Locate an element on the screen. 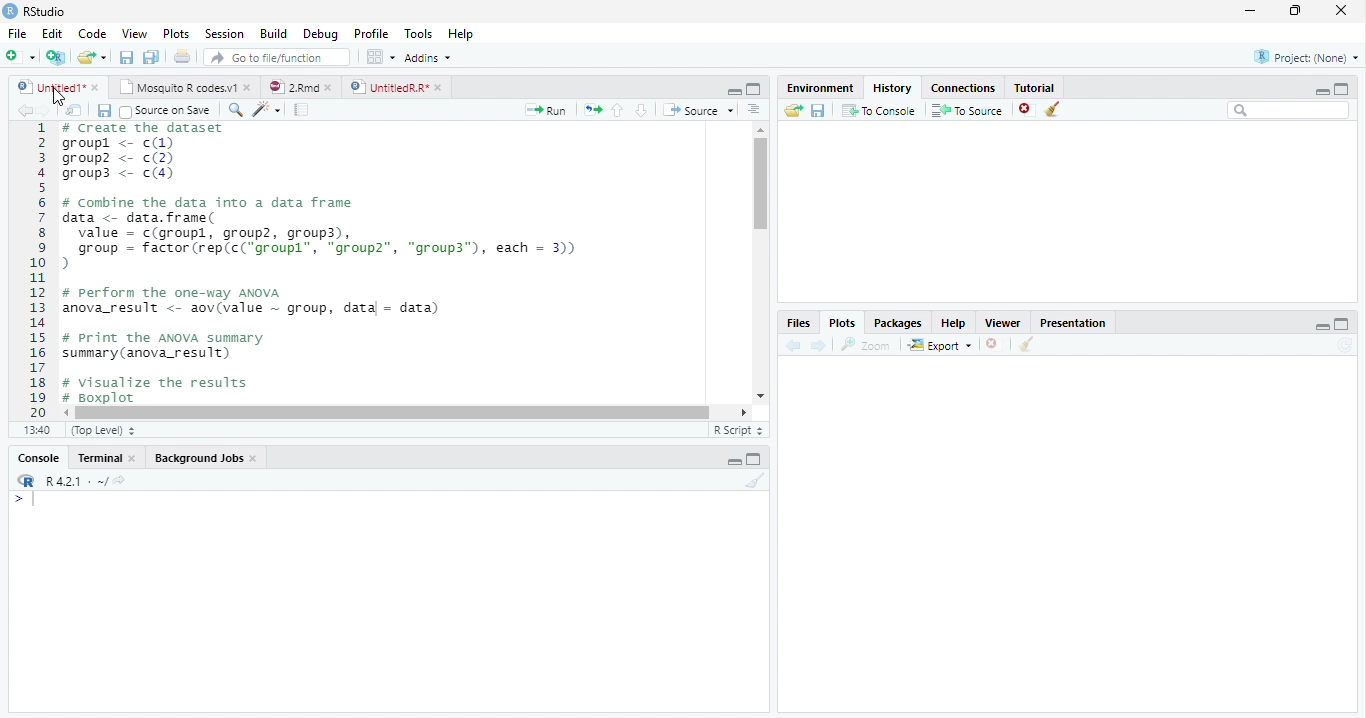  History is located at coordinates (893, 87).